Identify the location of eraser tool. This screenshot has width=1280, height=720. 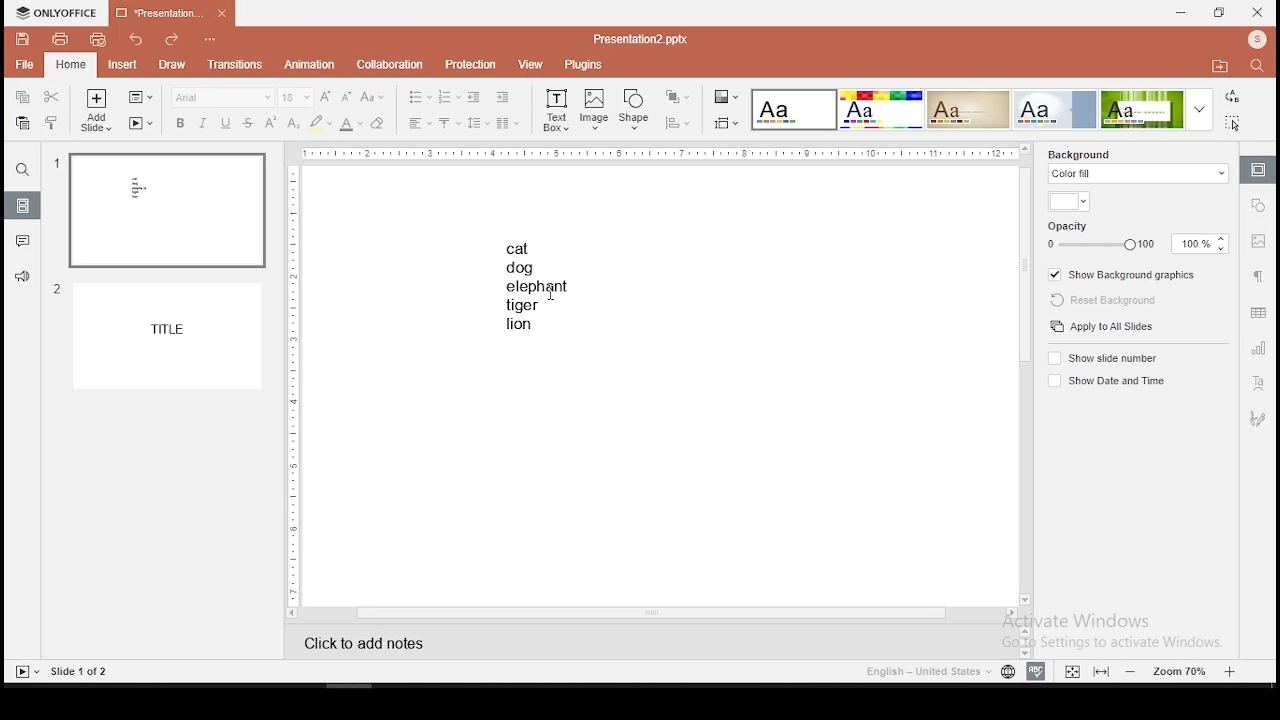
(378, 125).